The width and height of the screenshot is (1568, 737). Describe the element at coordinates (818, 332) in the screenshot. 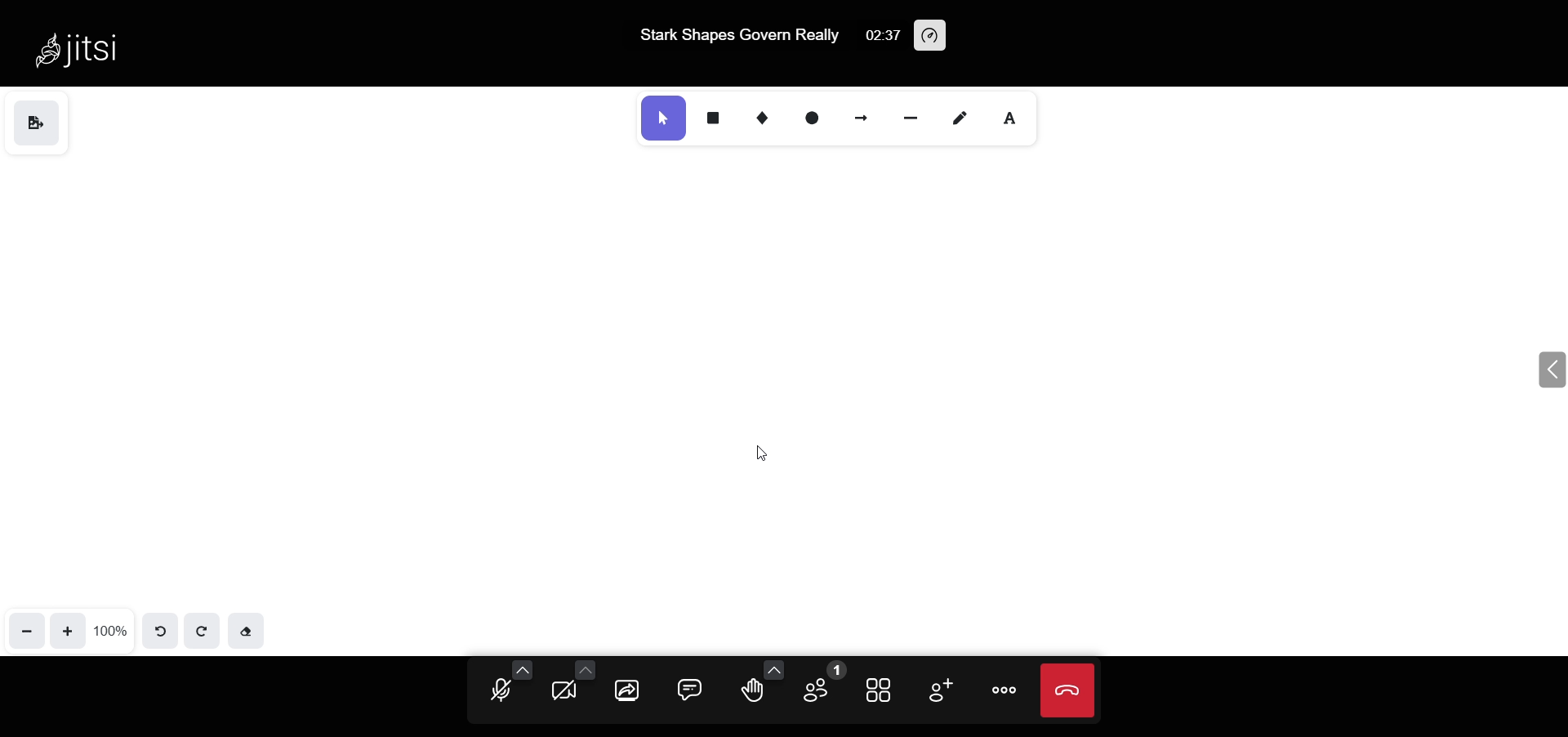

I see `deleted name text` at that location.